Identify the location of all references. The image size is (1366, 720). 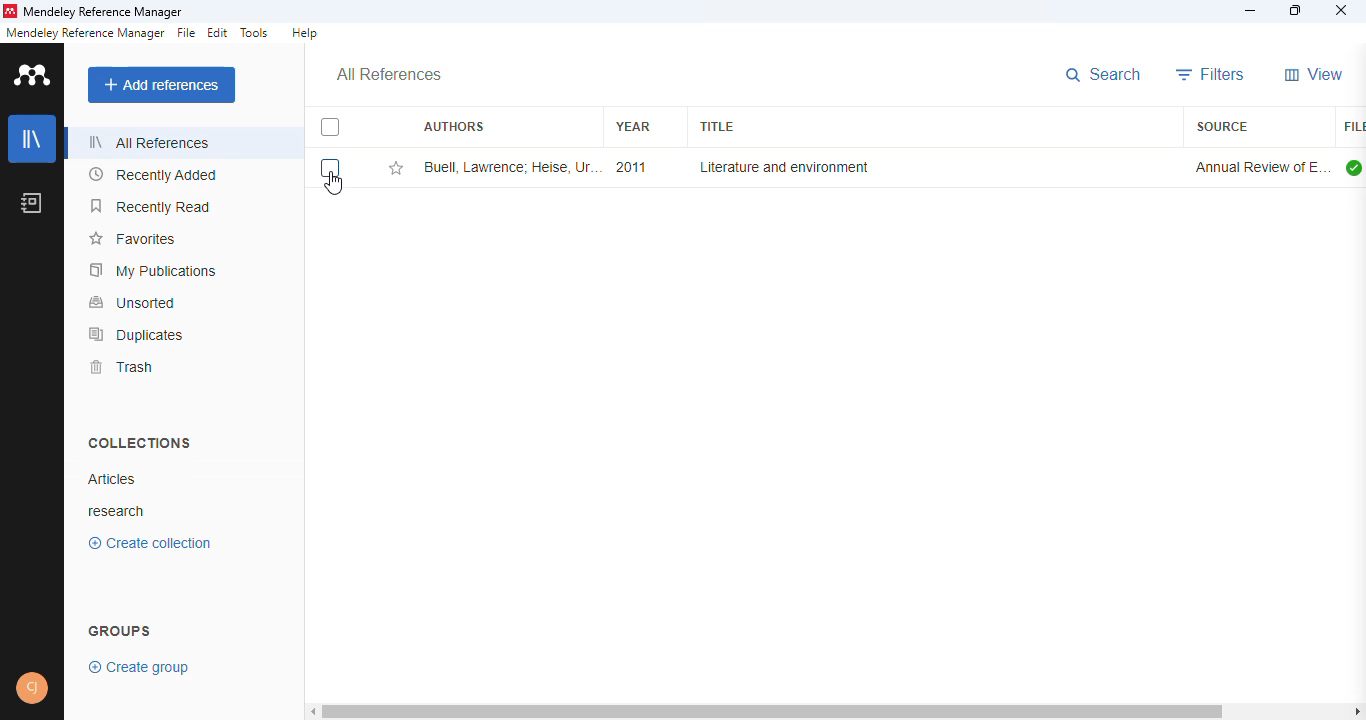
(150, 142).